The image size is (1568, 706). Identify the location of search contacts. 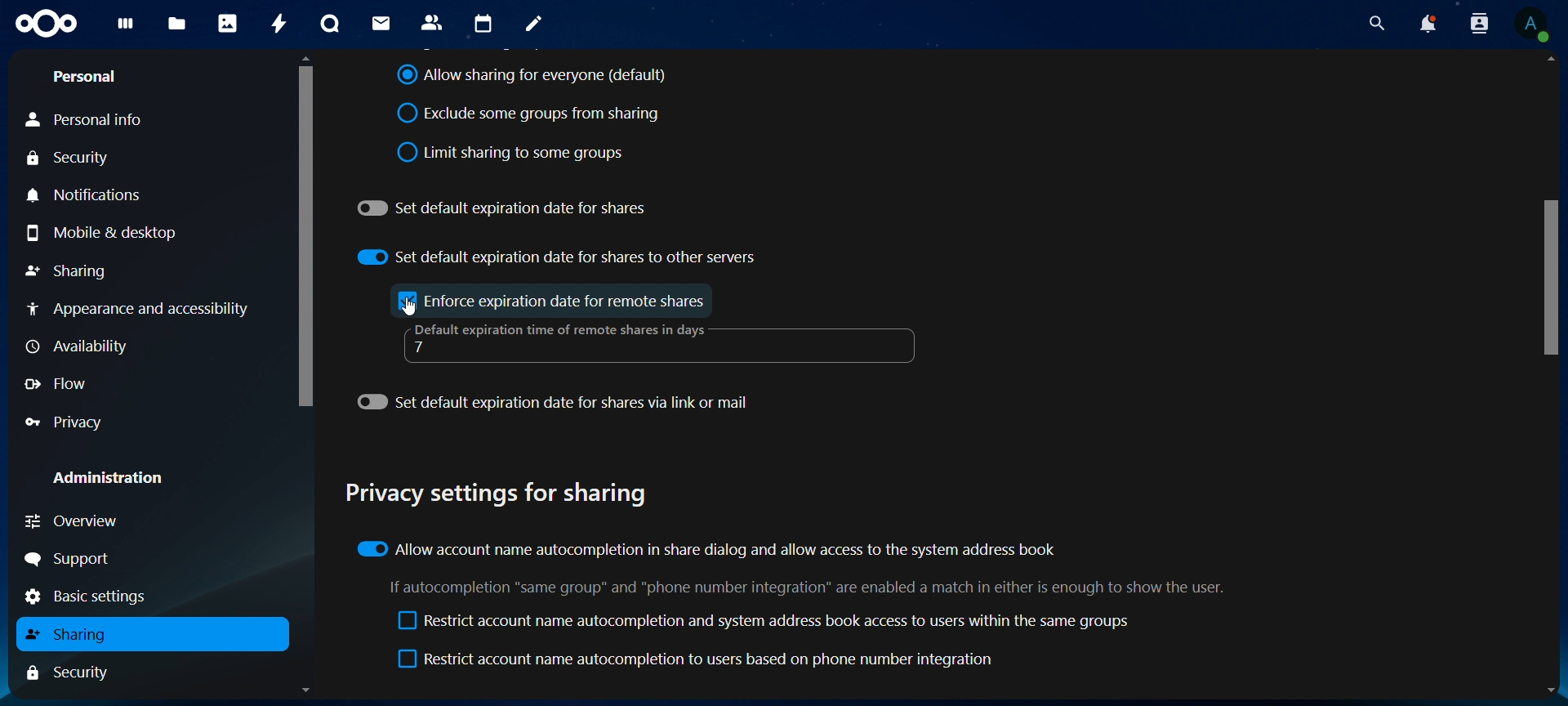
(1478, 25).